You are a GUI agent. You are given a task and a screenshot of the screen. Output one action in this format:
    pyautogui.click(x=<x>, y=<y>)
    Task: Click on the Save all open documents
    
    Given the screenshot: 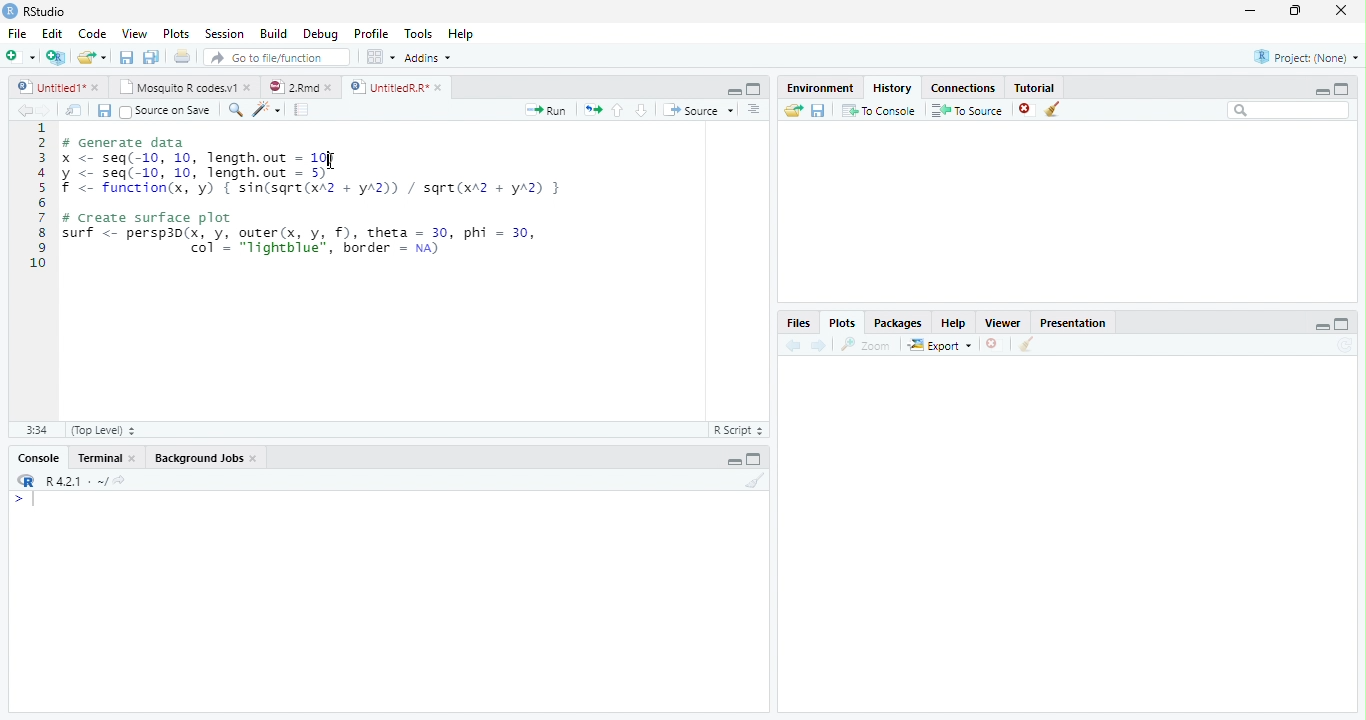 What is the action you would take?
    pyautogui.click(x=150, y=56)
    